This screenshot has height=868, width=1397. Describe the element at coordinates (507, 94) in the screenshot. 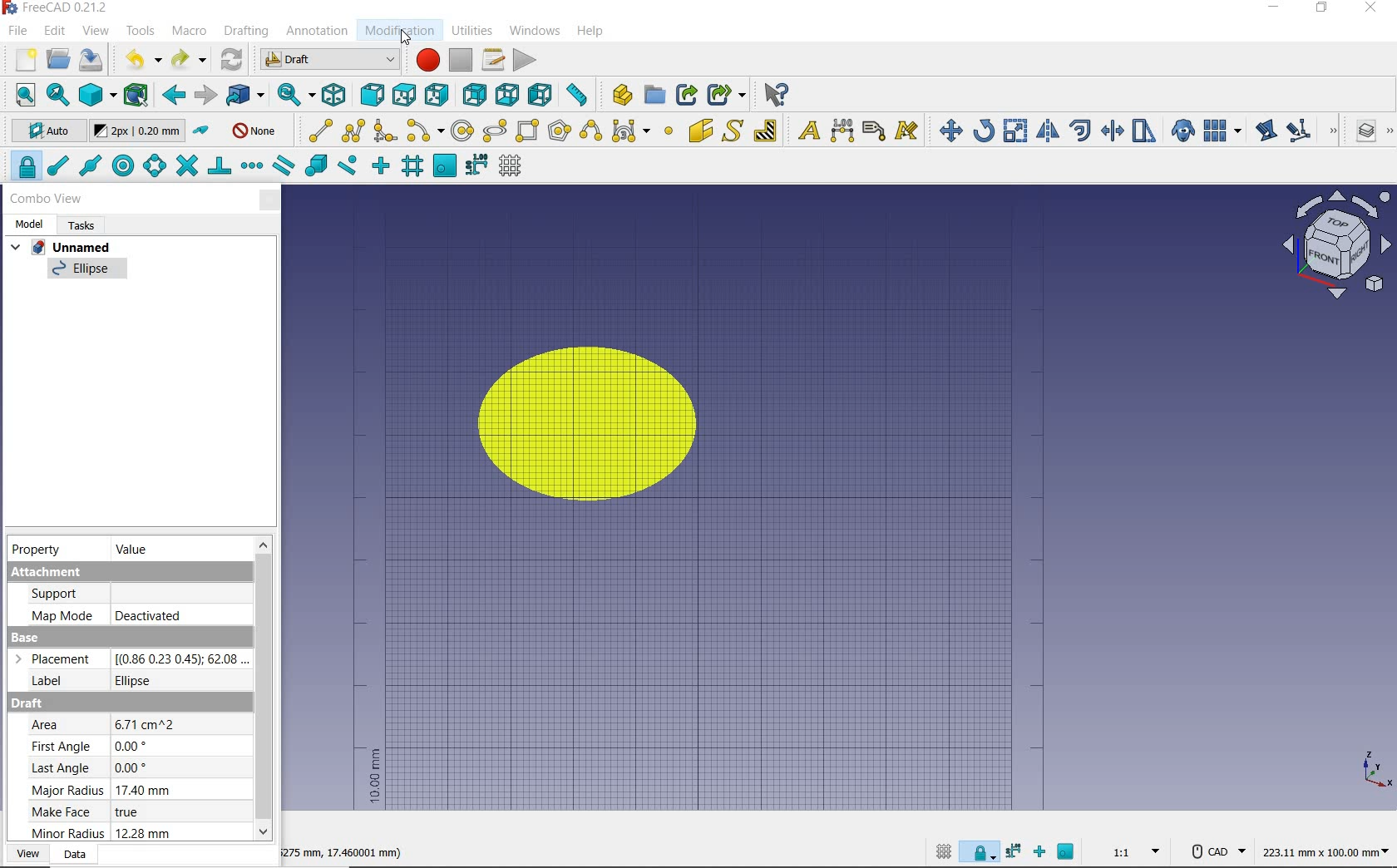

I see `bottom` at that location.